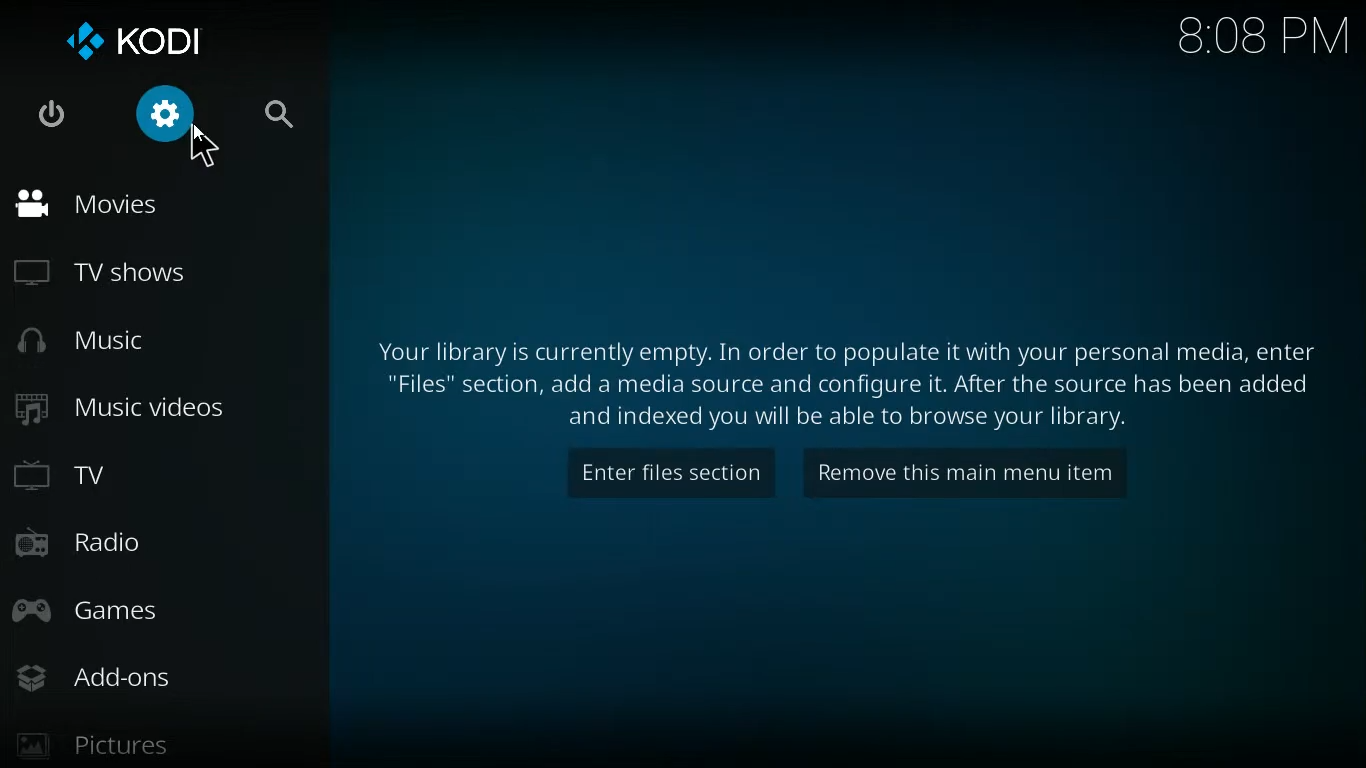 The height and width of the screenshot is (768, 1366). I want to click on pictures, so click(106, 745).